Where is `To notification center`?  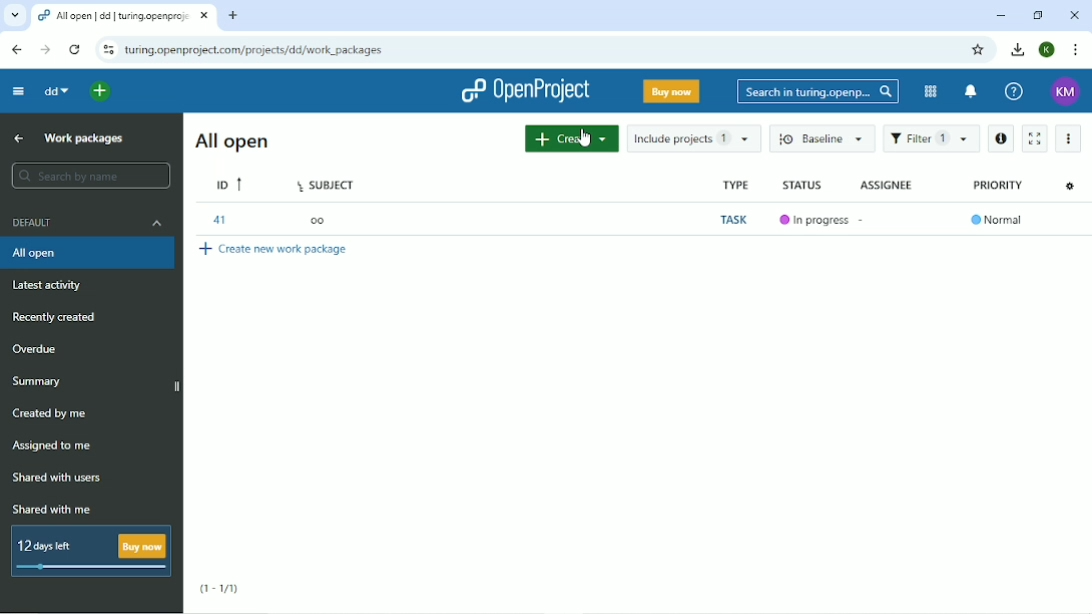
To notification center is located at coordinates (971, 91).